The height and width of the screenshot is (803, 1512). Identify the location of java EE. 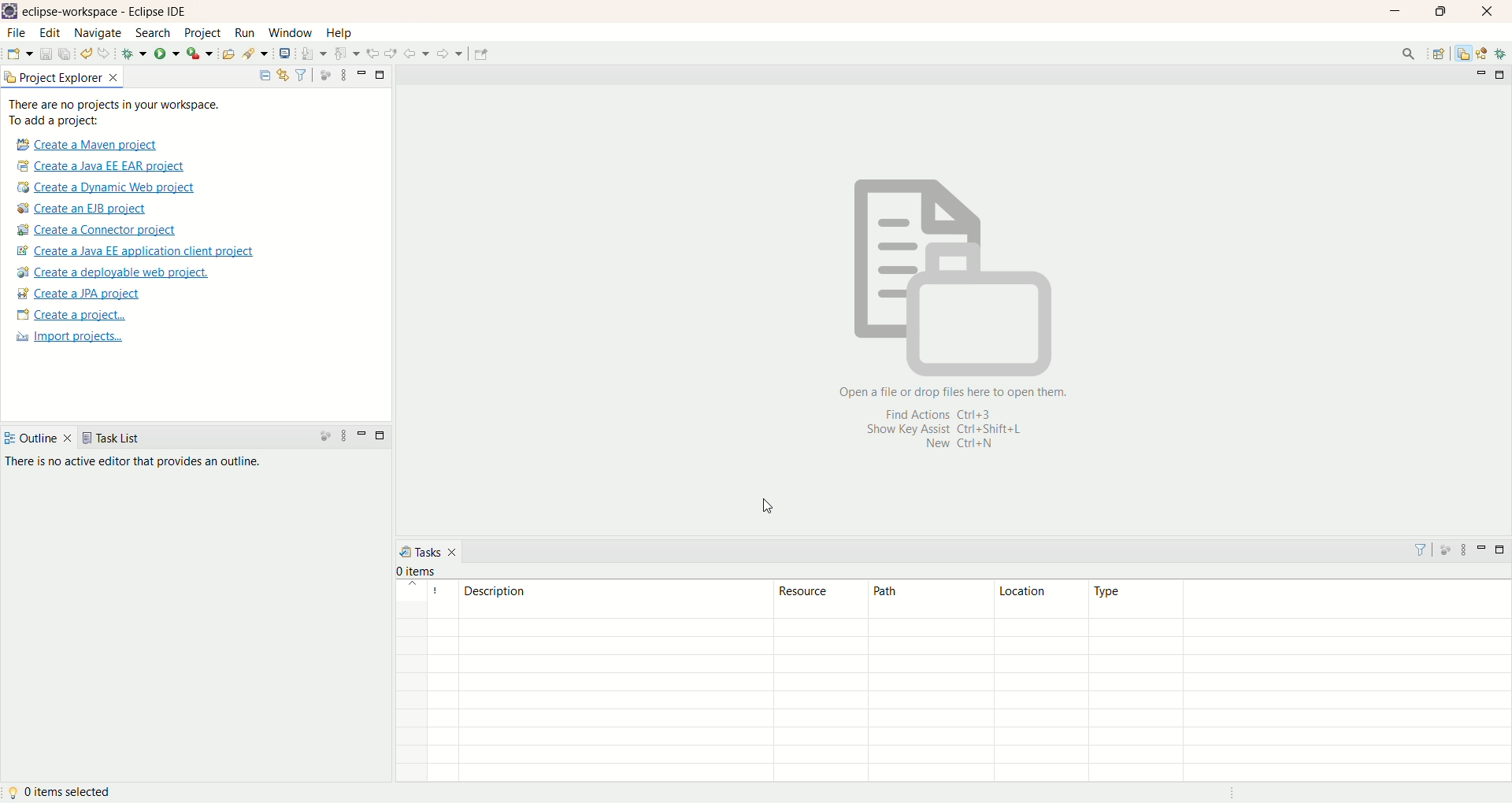
(1484, 52).